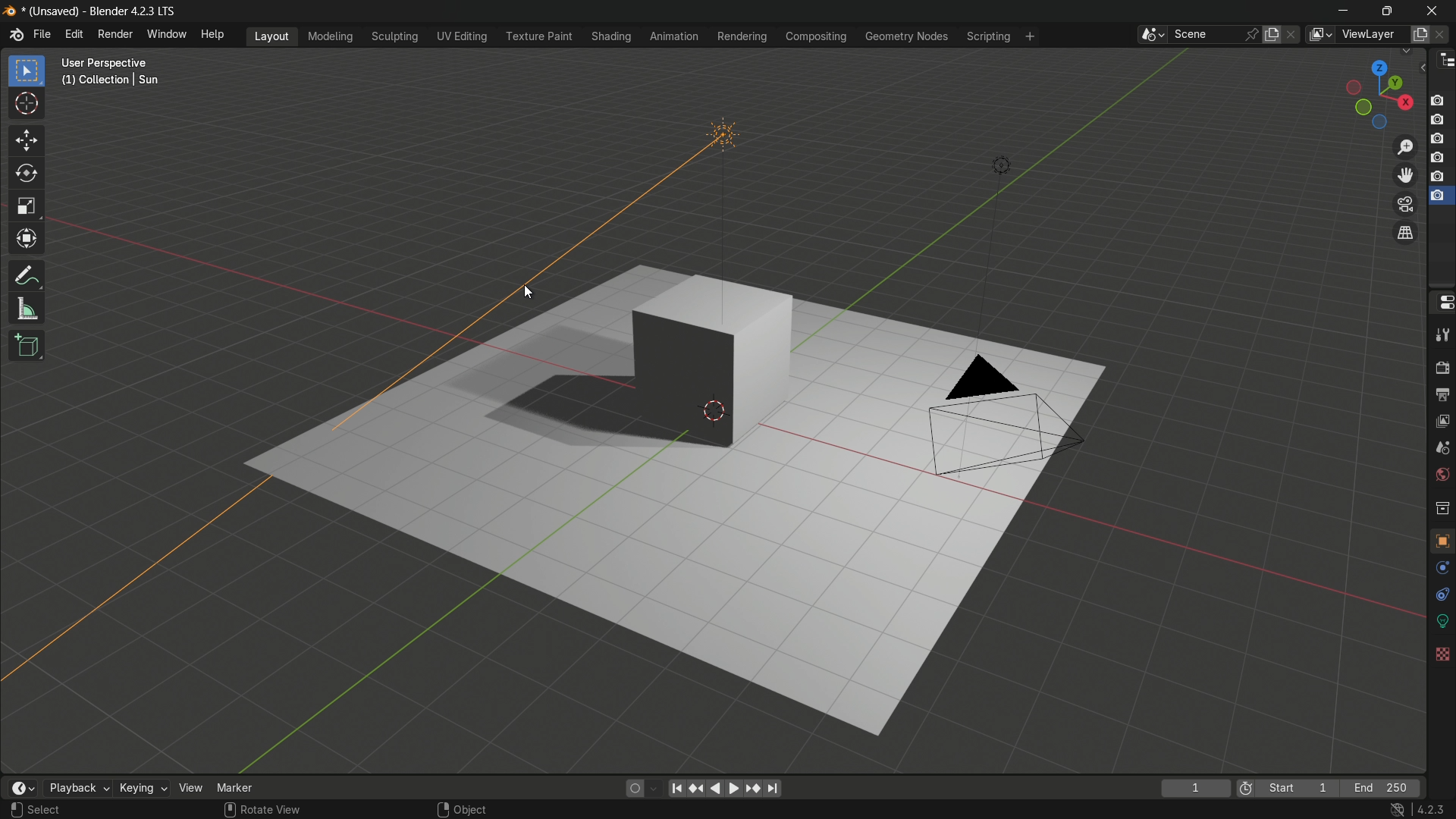  Describe the element at coordinates (773, 790) in the screenshot. I see `jump to endpoint` at that location.